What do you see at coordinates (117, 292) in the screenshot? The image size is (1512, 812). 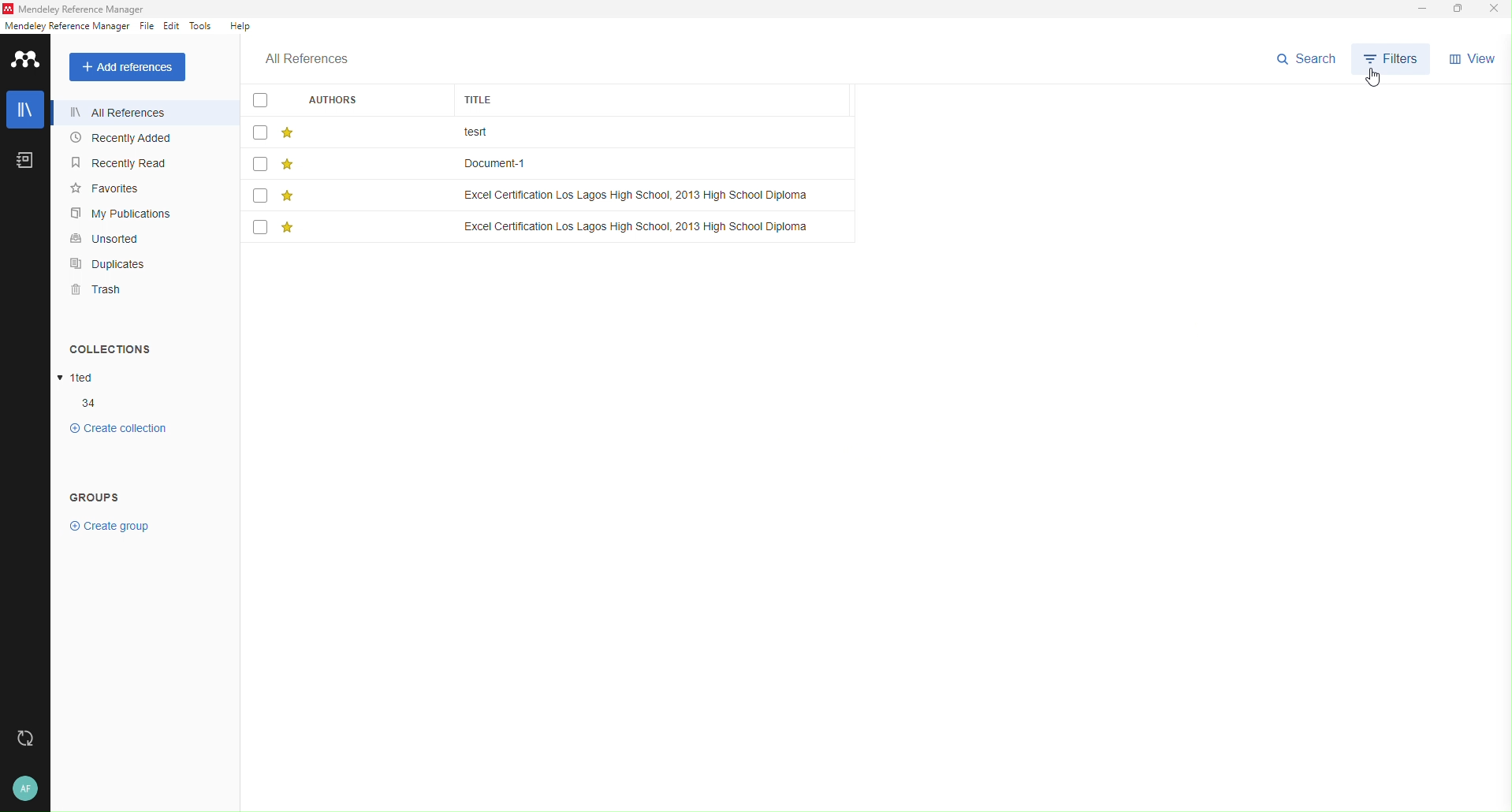 I see `Trash` at bounding box center [117, 292].